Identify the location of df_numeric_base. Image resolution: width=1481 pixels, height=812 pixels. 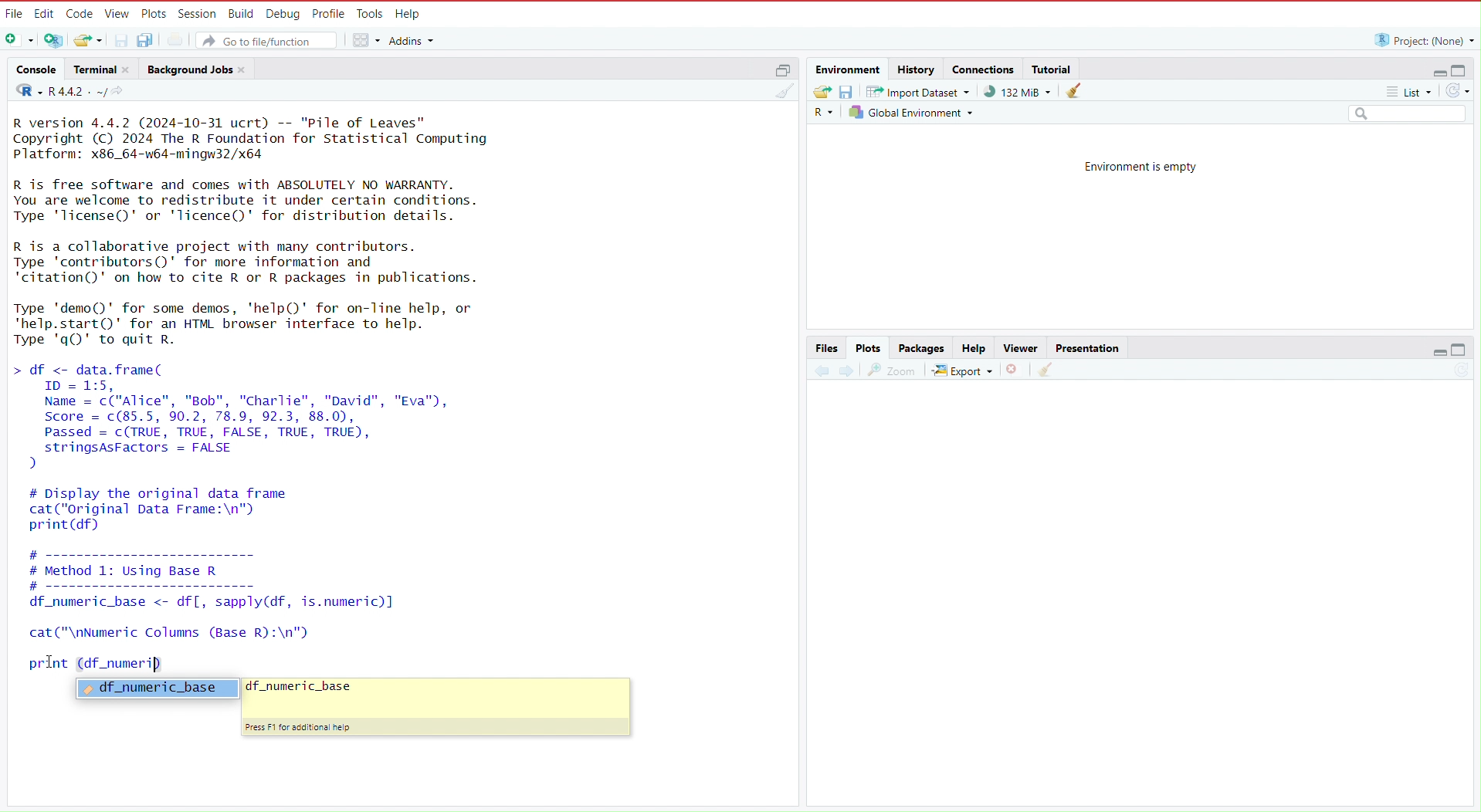
(158, 687).